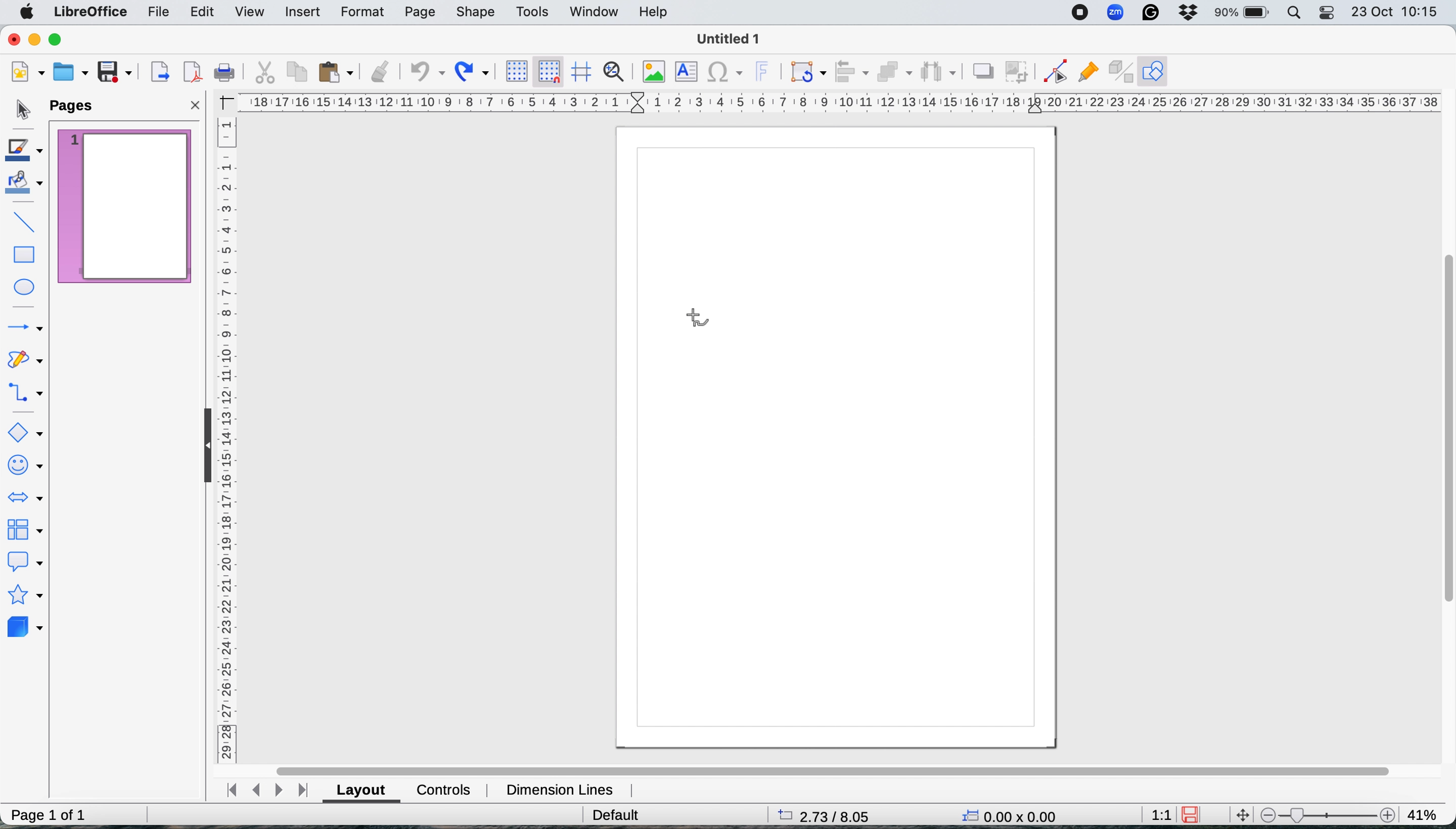 The width and height of the screenshot is (1456, 829). I want to click on edit, so click(204, 12).